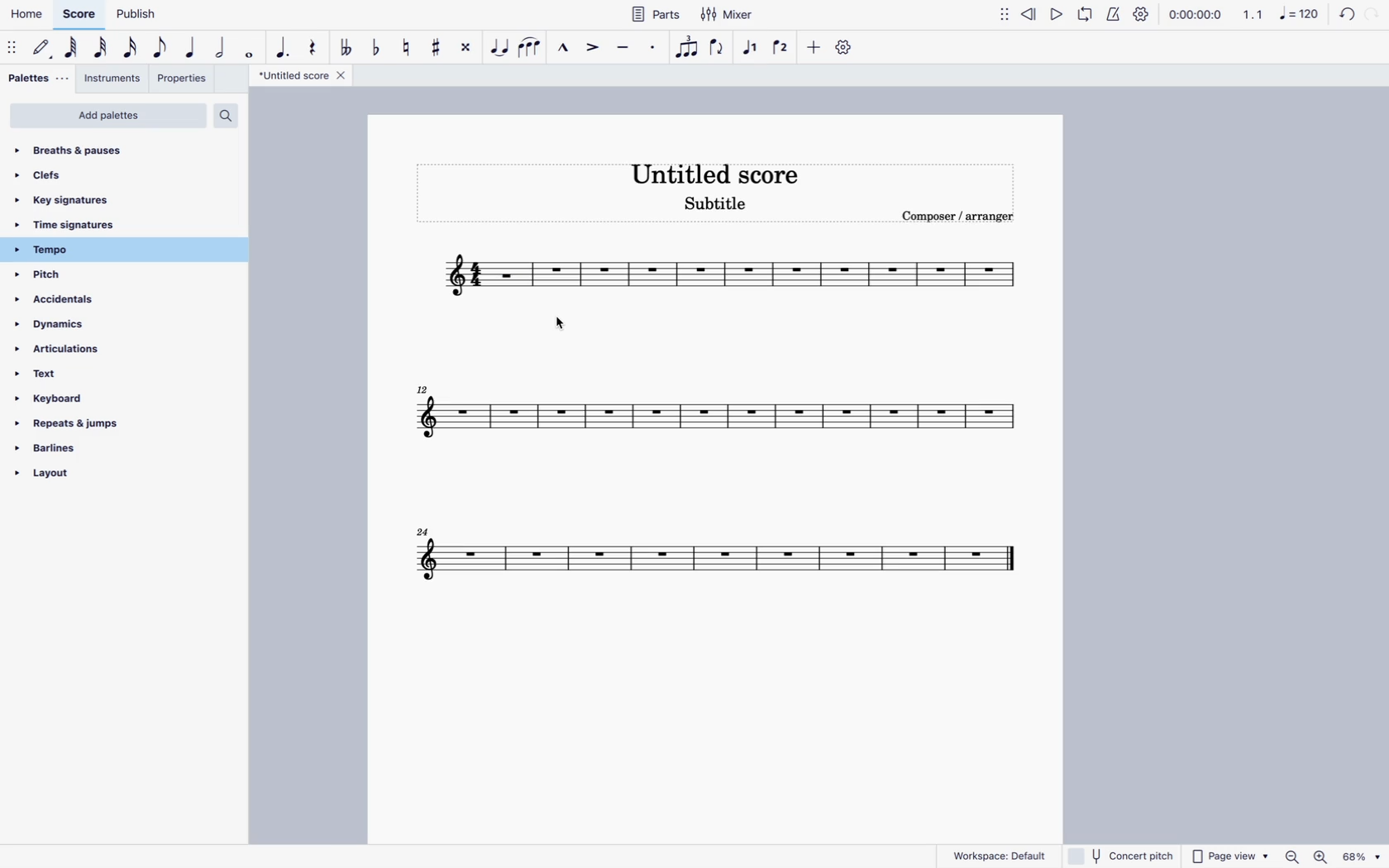  What do you see at coordinates (729, 173) in the screenshot?
I see `score title` at bounding box center [729, 173].